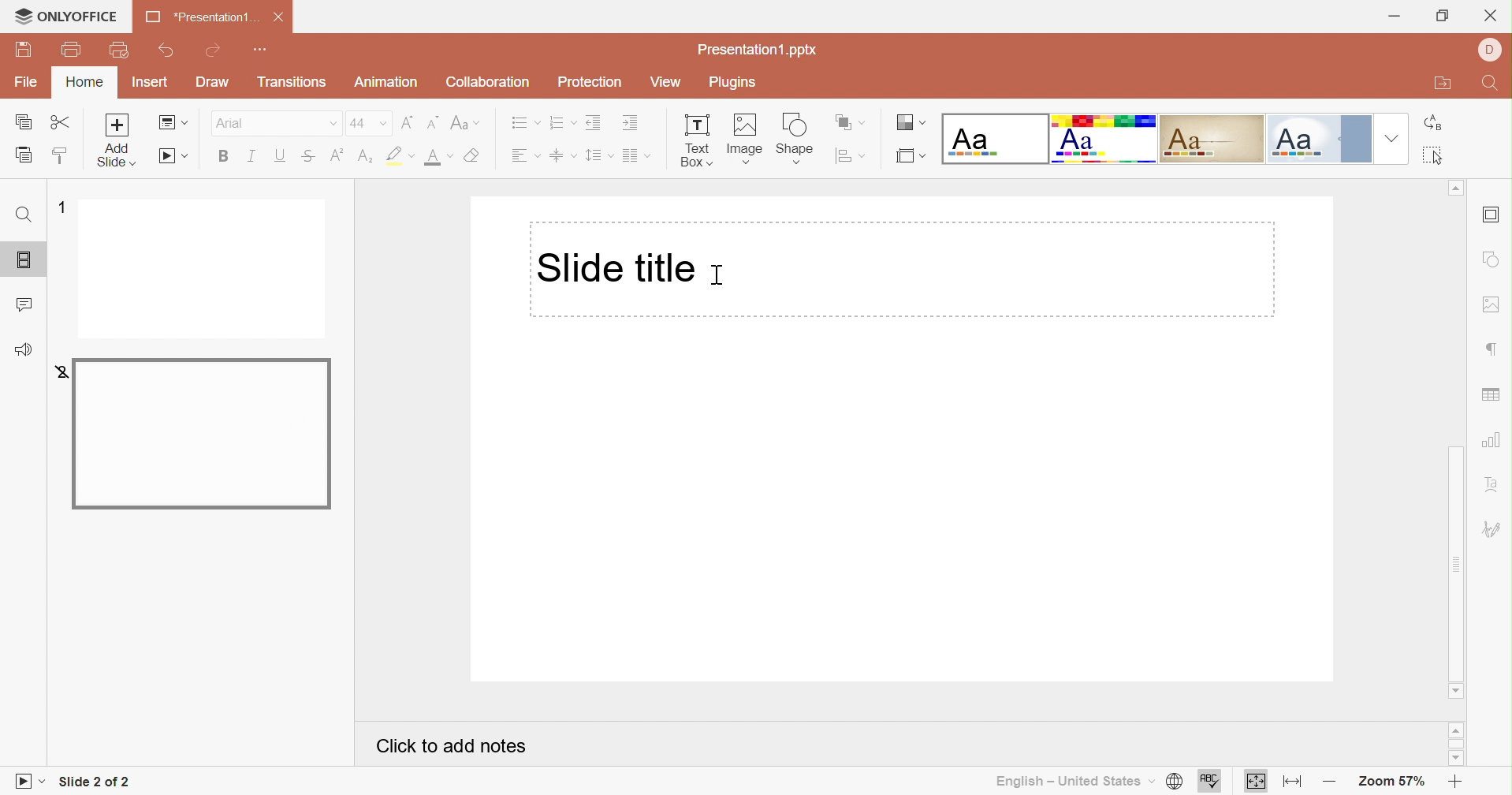 The width and height of the screenshot is (1512, 795). What do you see at coordinates (65, 122) in the screenshot?
I see `Cut` at bounding box center [65, 122].